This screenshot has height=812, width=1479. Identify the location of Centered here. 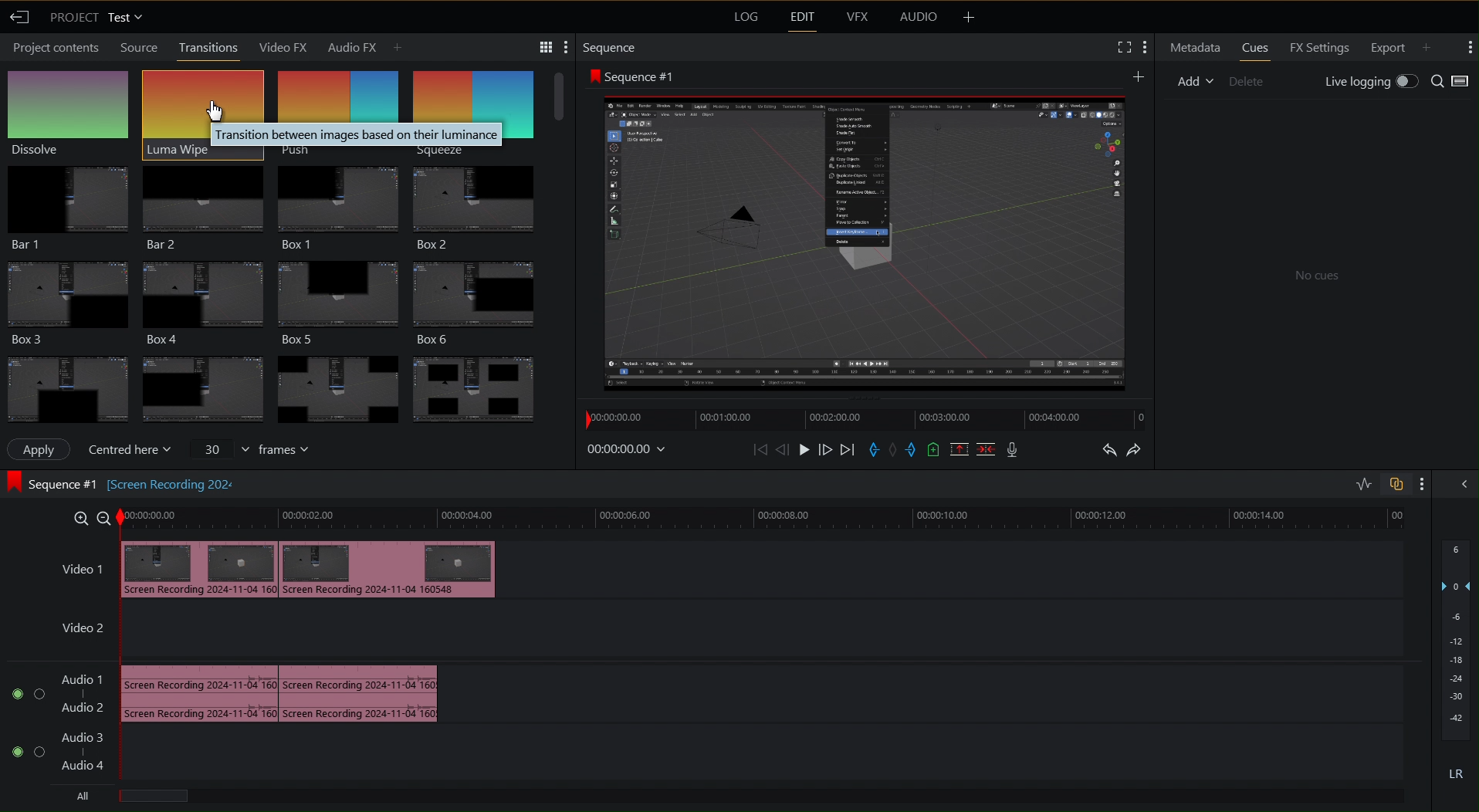
(130, 449).